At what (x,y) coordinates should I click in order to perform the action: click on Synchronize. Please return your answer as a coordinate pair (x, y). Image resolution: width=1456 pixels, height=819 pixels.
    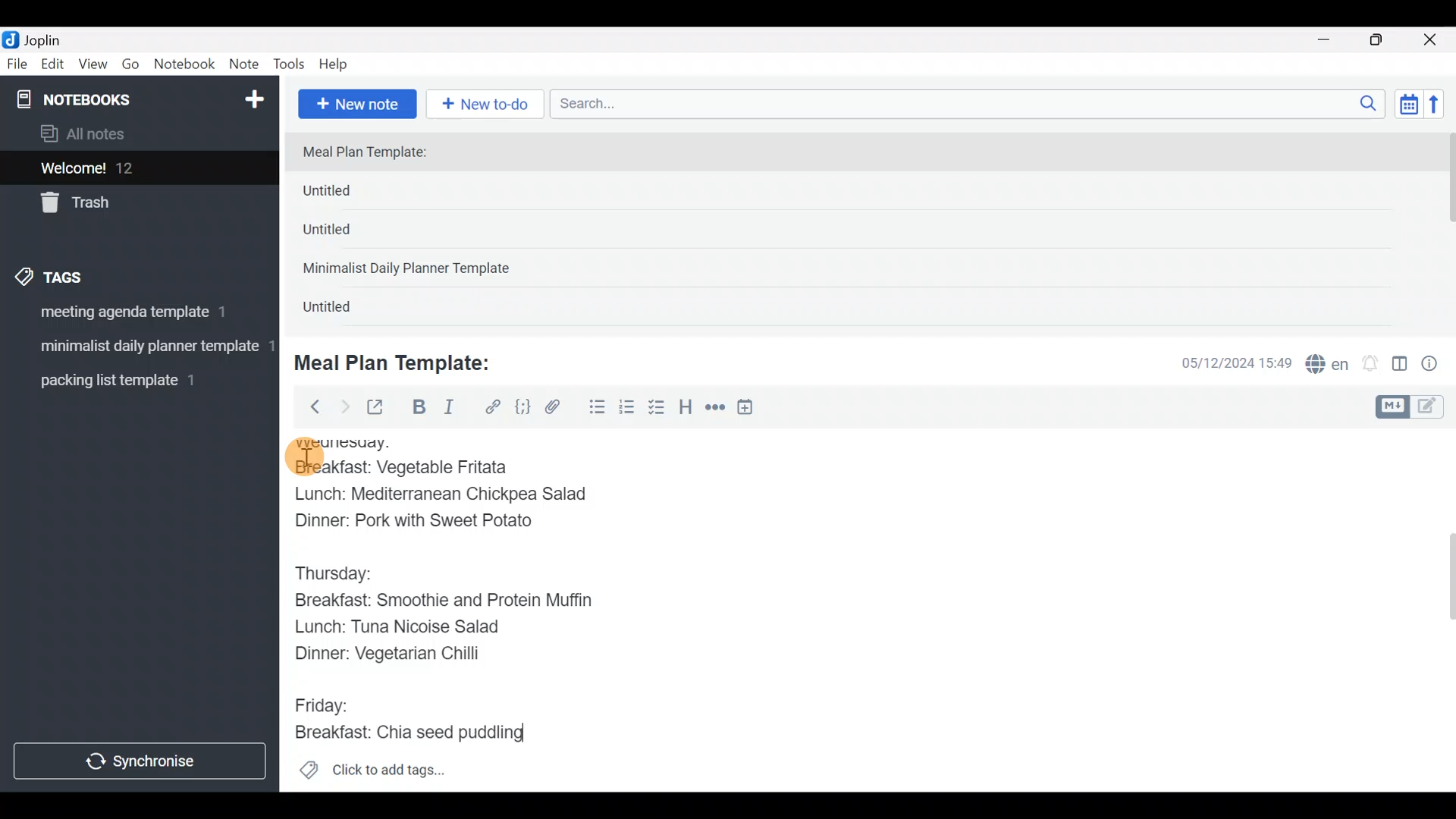
    Looking at the image, I should click on (142, 761).